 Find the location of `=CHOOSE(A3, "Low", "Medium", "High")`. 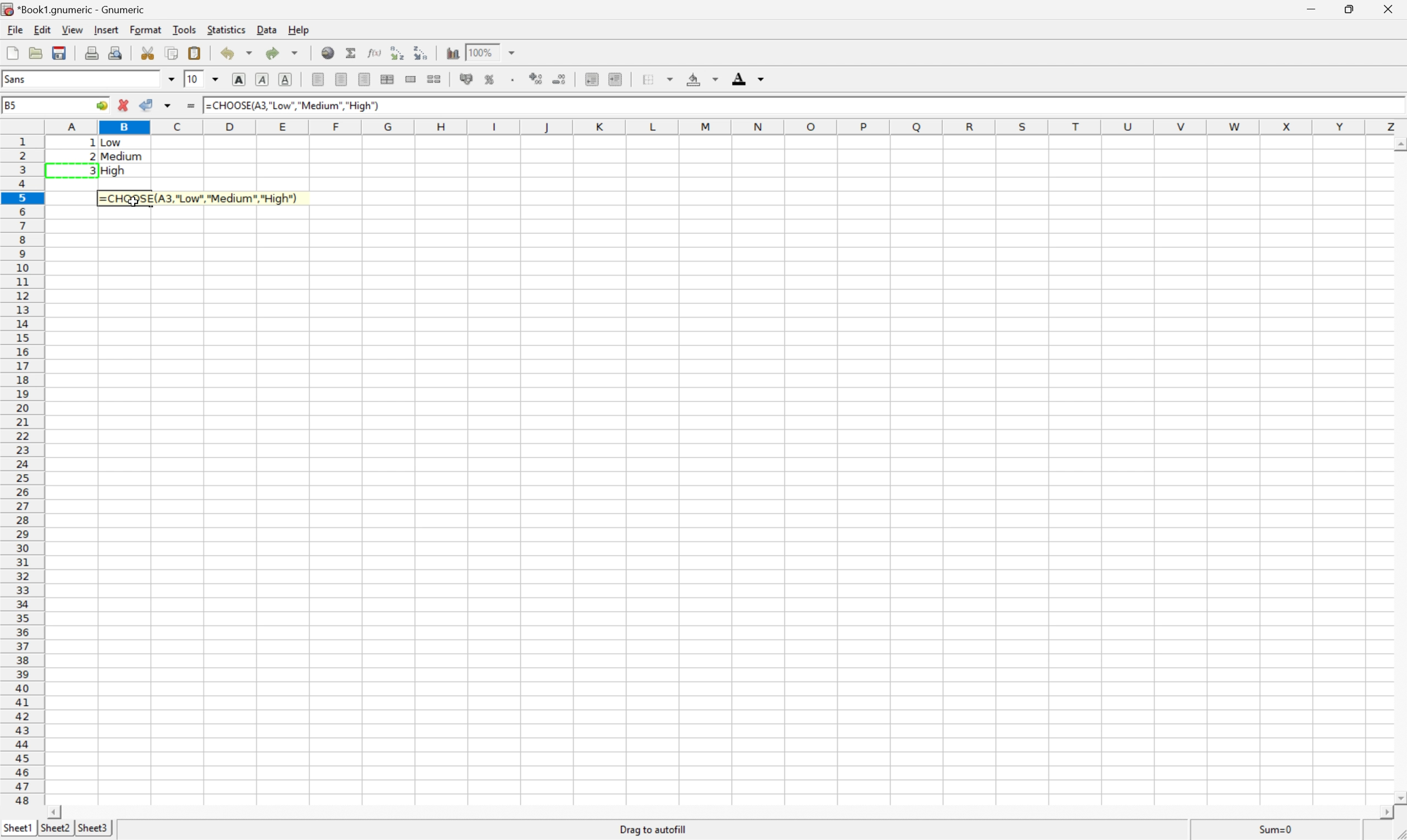

=CHOOSE(A3, "Low", "Medium", "High") is located at coordinates (292, 105).